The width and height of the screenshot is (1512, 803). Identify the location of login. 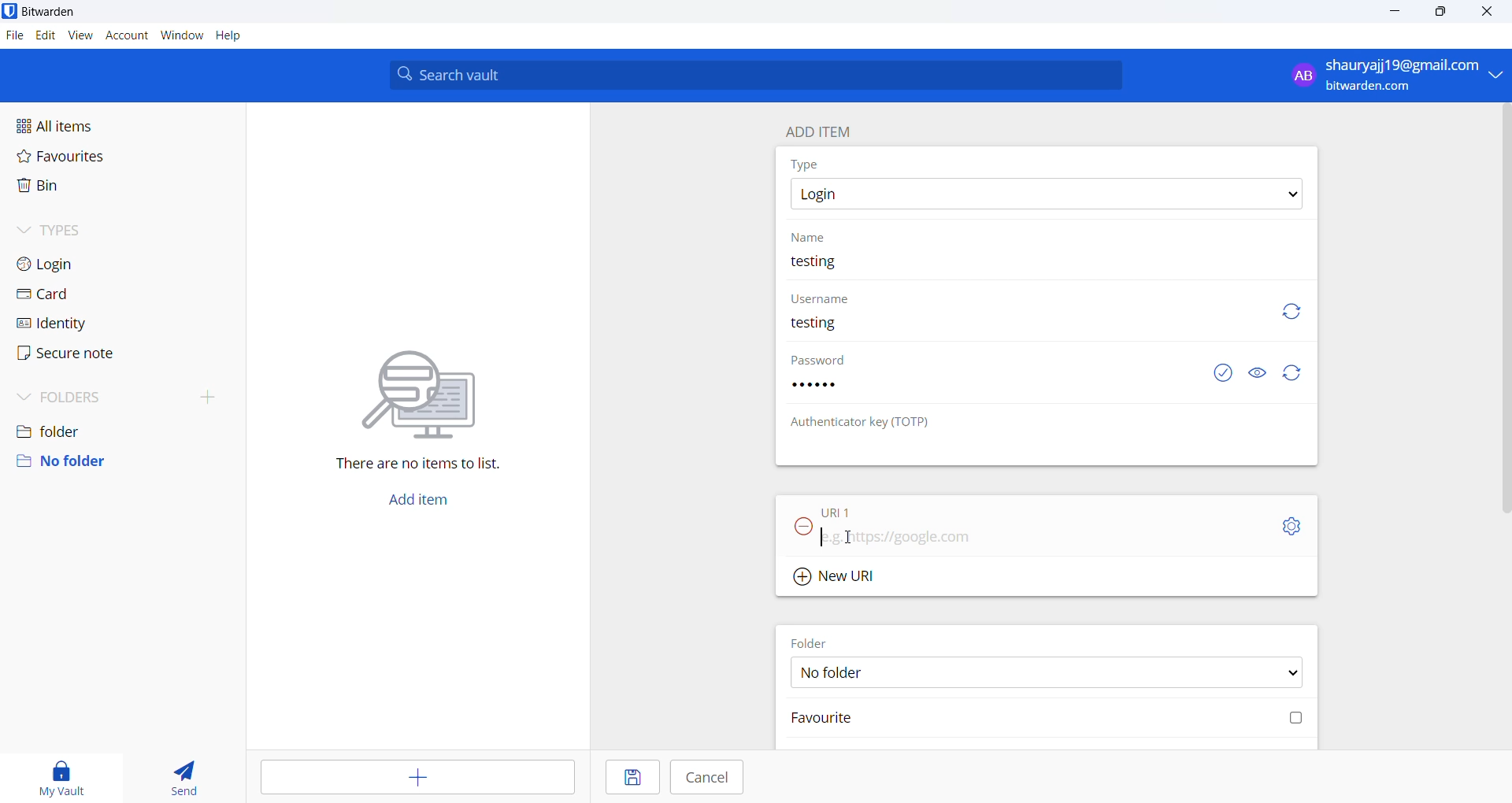
(82, 265).